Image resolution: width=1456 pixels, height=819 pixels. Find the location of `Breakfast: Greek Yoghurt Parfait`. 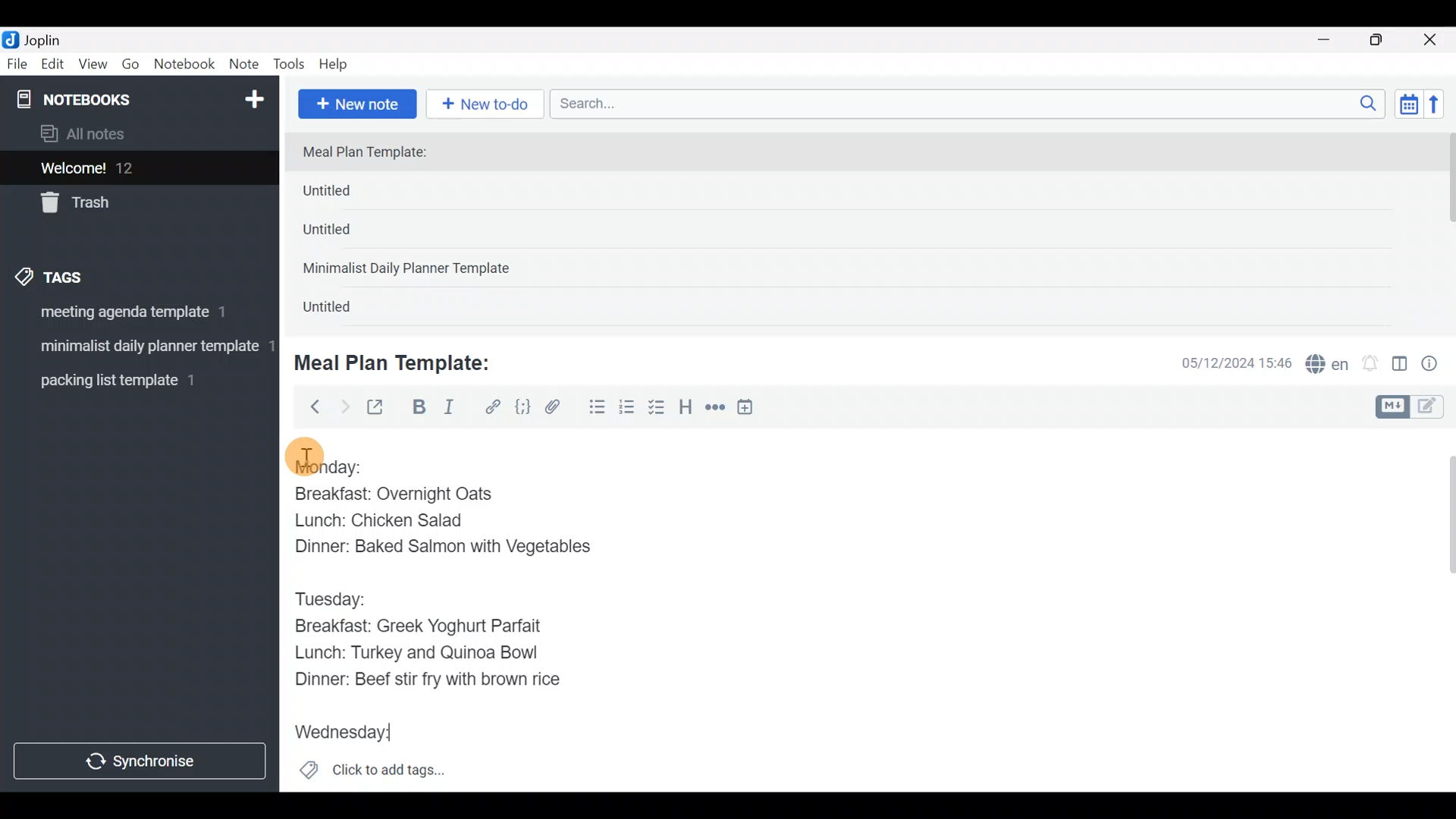

Breakfast: Greek Yoghurt Parfait is located at coordinates (425, 625).